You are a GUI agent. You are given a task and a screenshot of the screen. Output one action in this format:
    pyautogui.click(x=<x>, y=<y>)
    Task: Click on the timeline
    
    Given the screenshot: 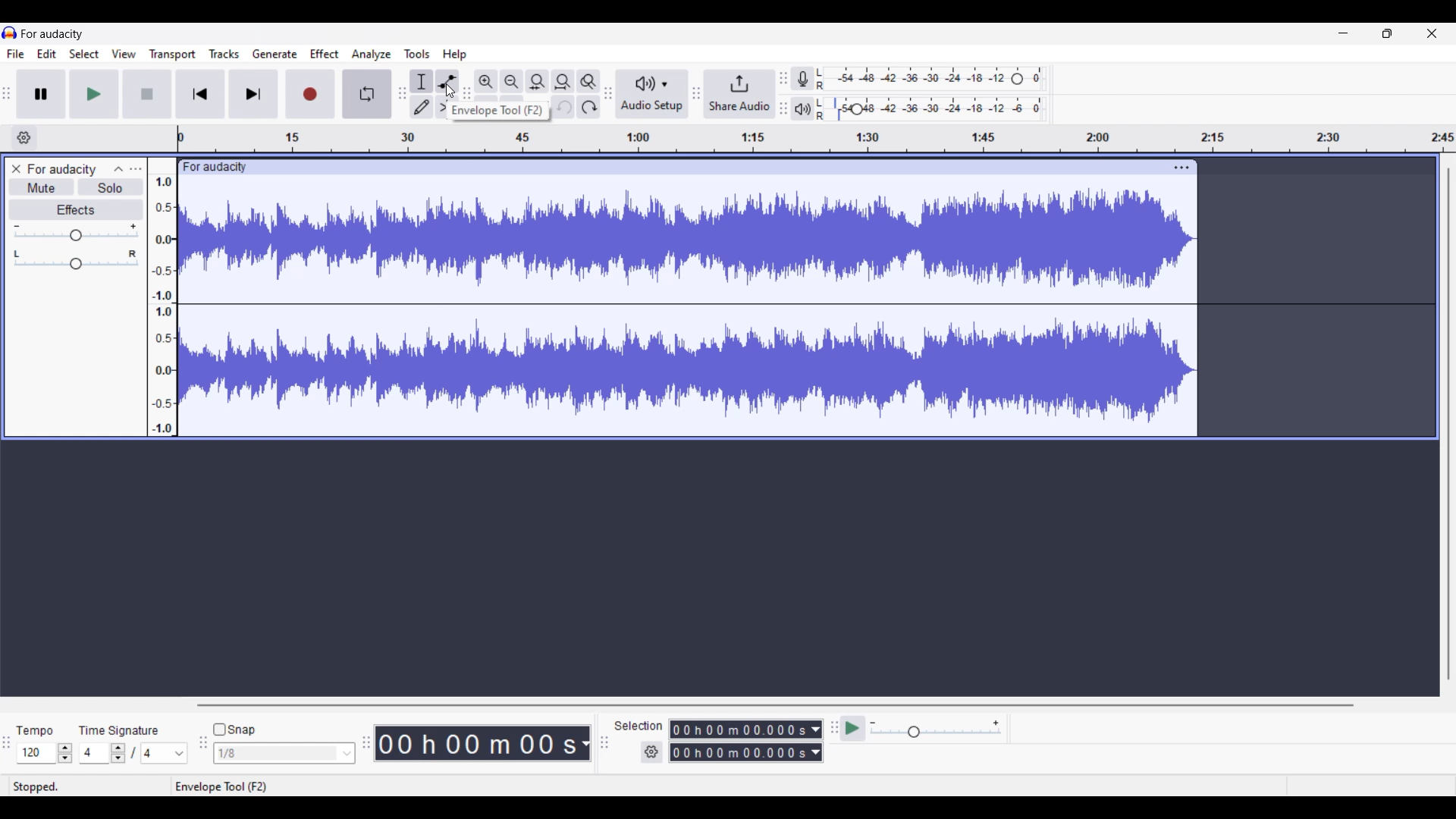 What is the action you would take?
    pyautogui.click(x=816, y=139)
    